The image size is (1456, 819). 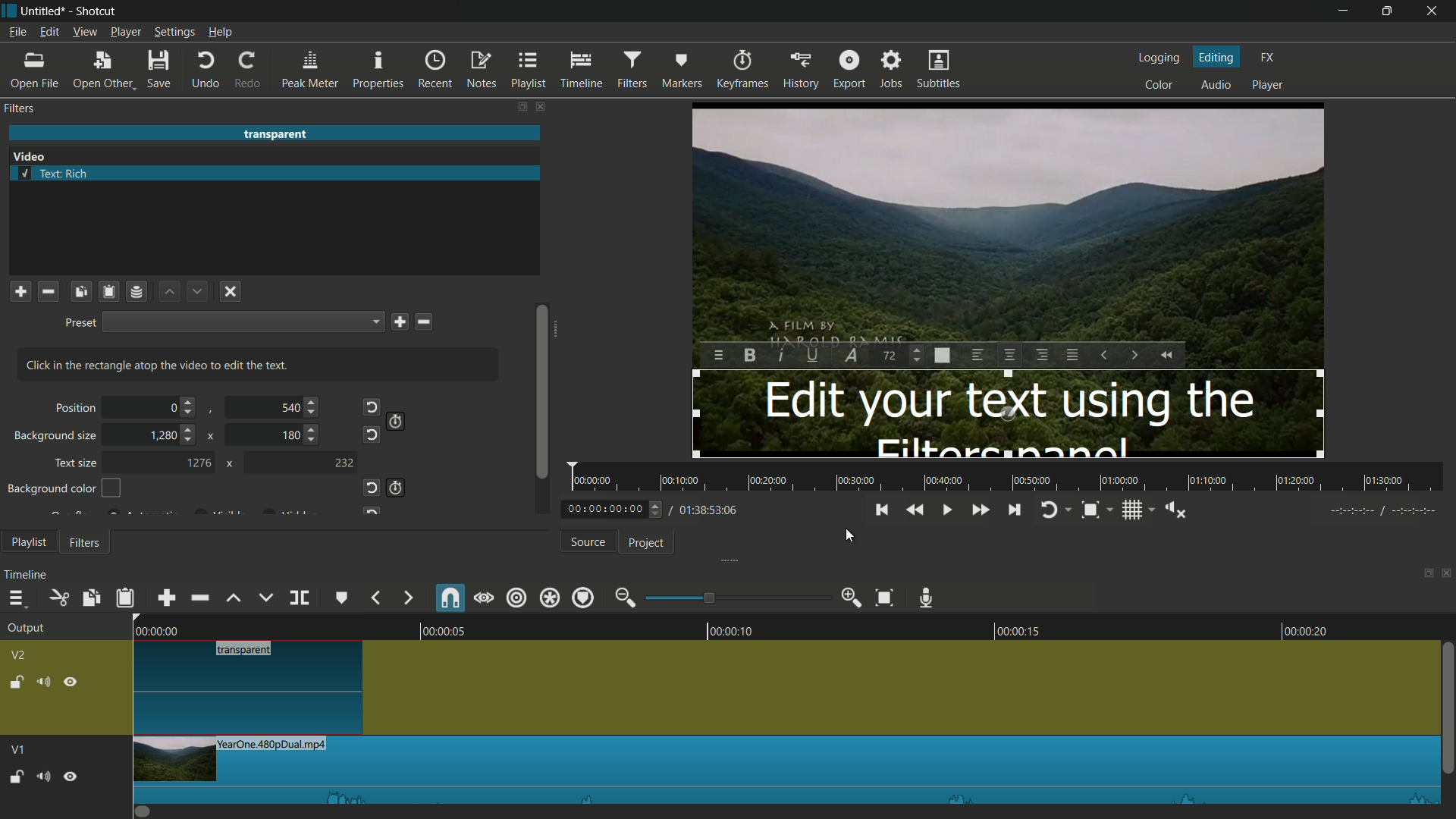 What do you see at coordinates (782, 770) in the screenshot?
I see `imported file in timeline` at bounding box center [782, 770].